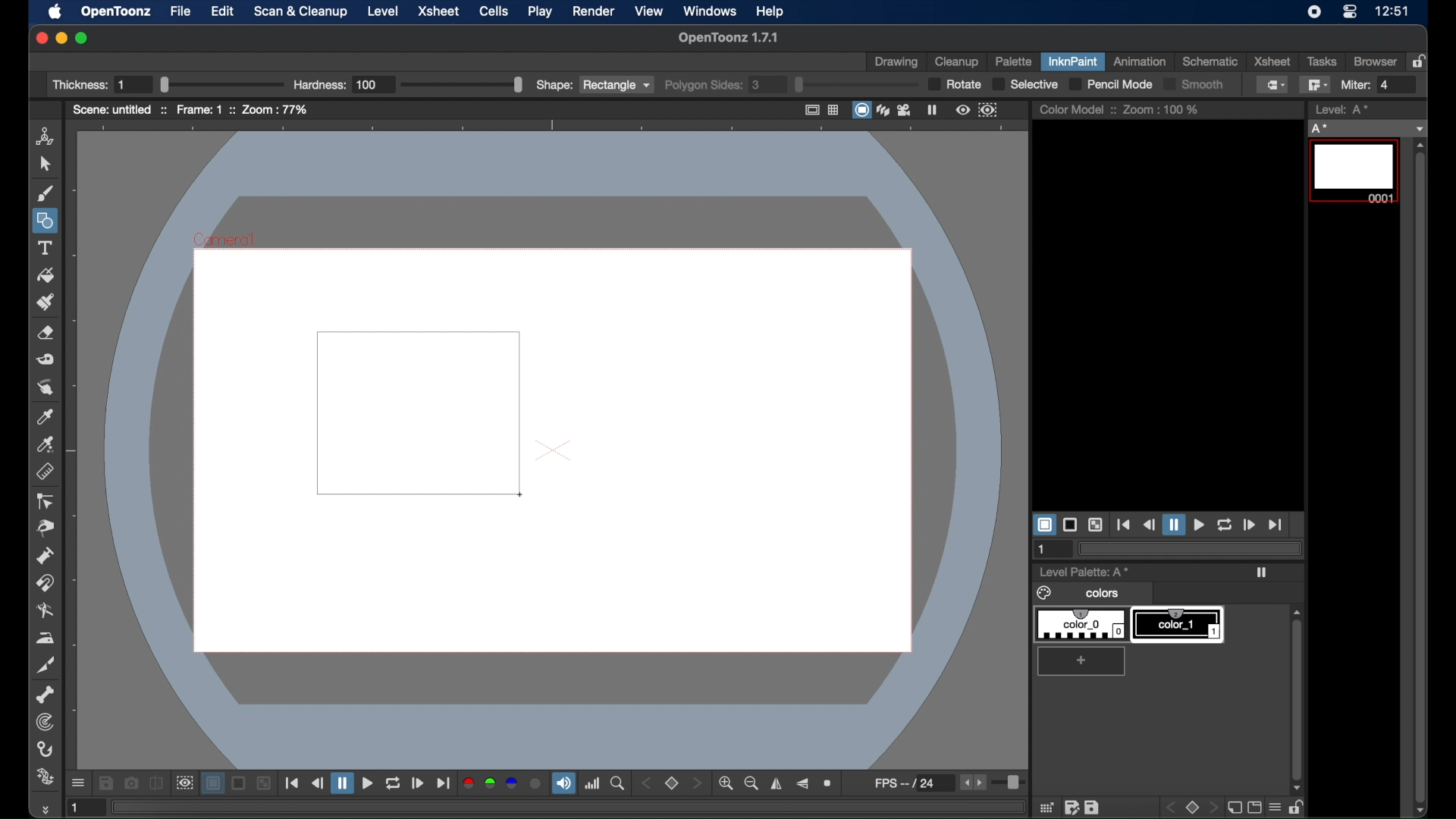  Describe the element at coordinates (45, 528) in the screenshot. I see `pinch tool` at that location.